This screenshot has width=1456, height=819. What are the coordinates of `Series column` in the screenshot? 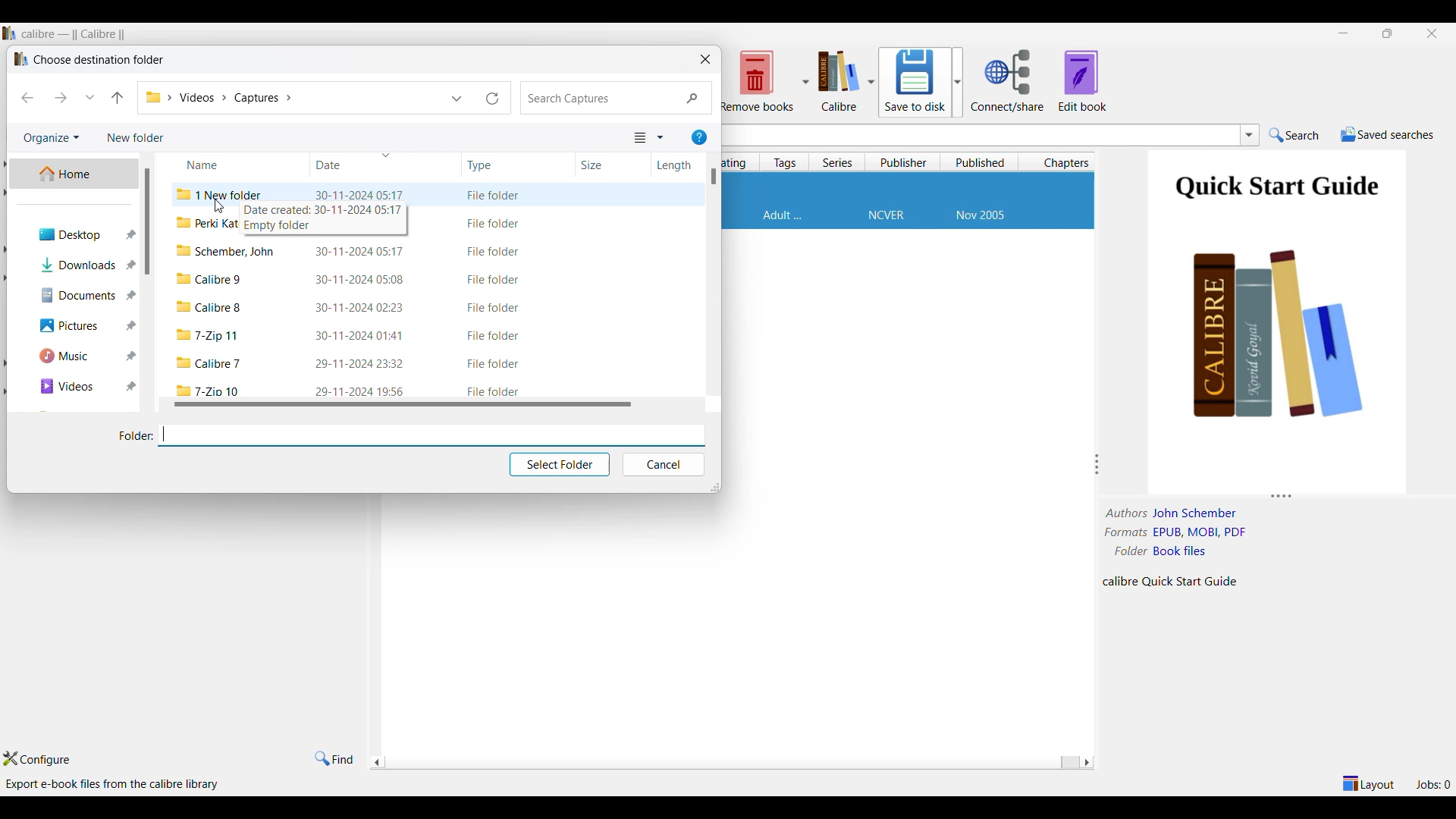 It's located at (838, 162).